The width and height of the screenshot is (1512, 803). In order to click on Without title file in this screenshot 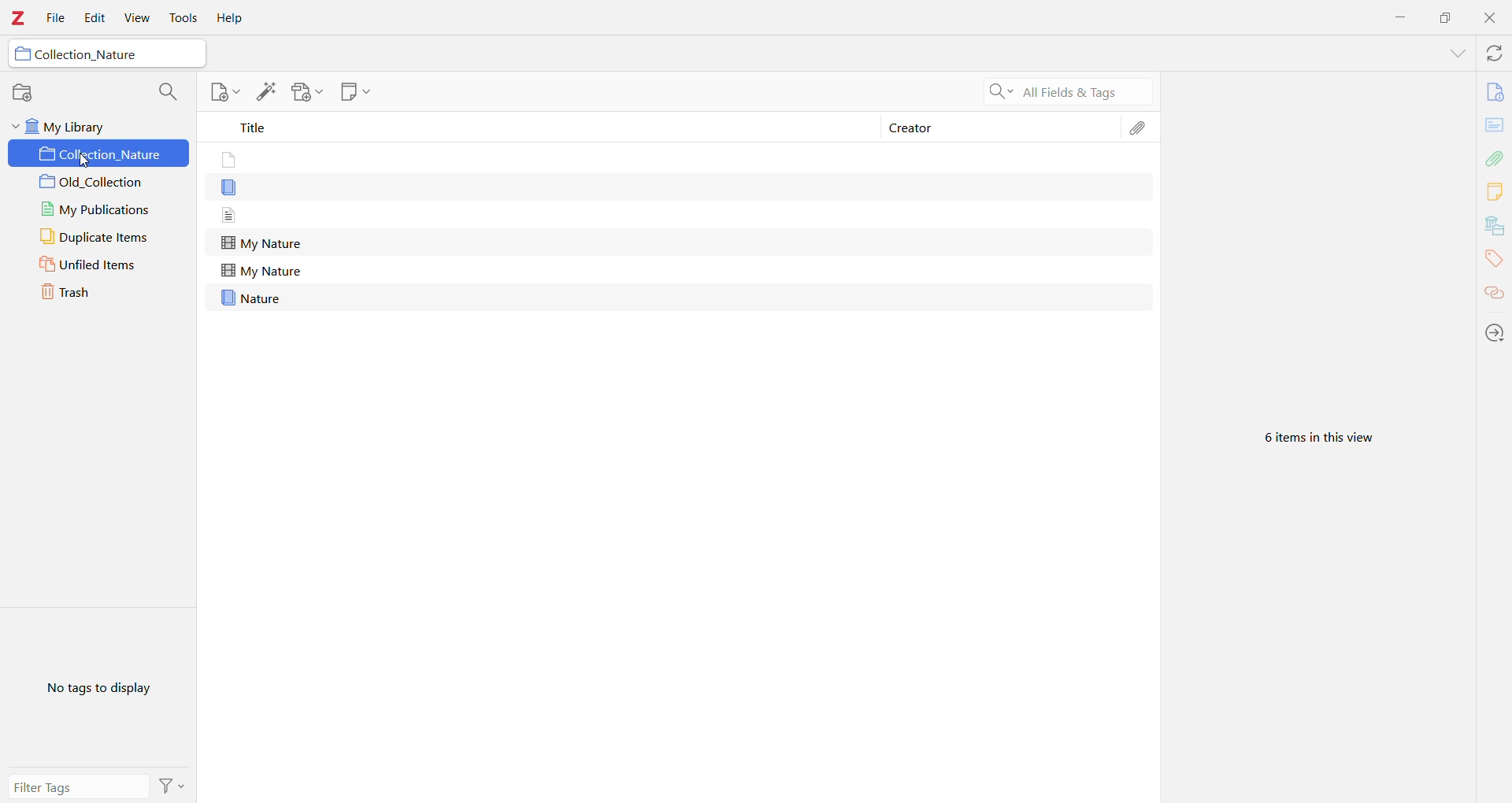, I will do `click(236, 187)`.